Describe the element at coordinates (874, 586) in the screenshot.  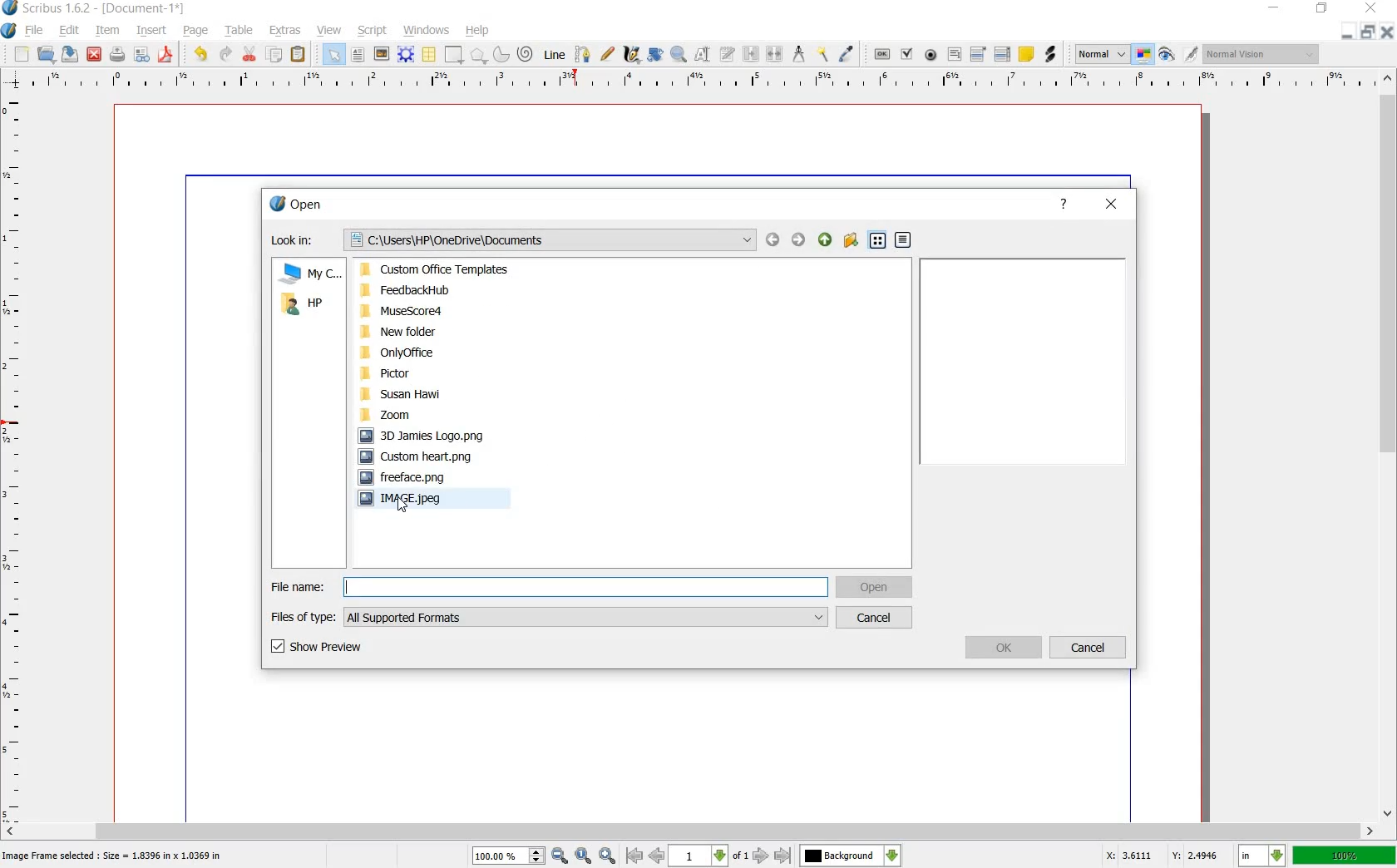
I see `OPEN` at that location.